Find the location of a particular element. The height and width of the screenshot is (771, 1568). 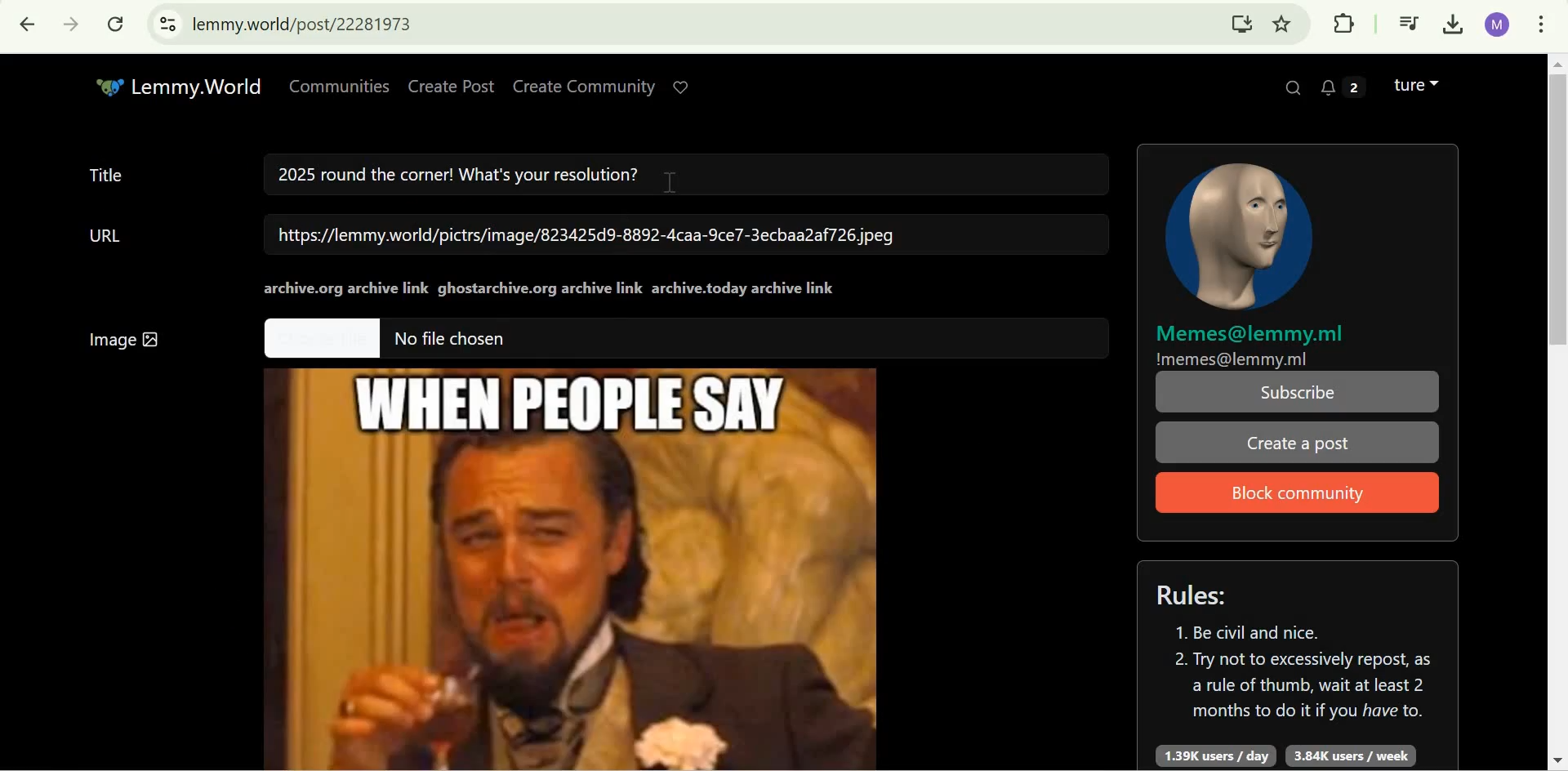

!memes@lemmy.ml is located at coordinates (1232, 359).